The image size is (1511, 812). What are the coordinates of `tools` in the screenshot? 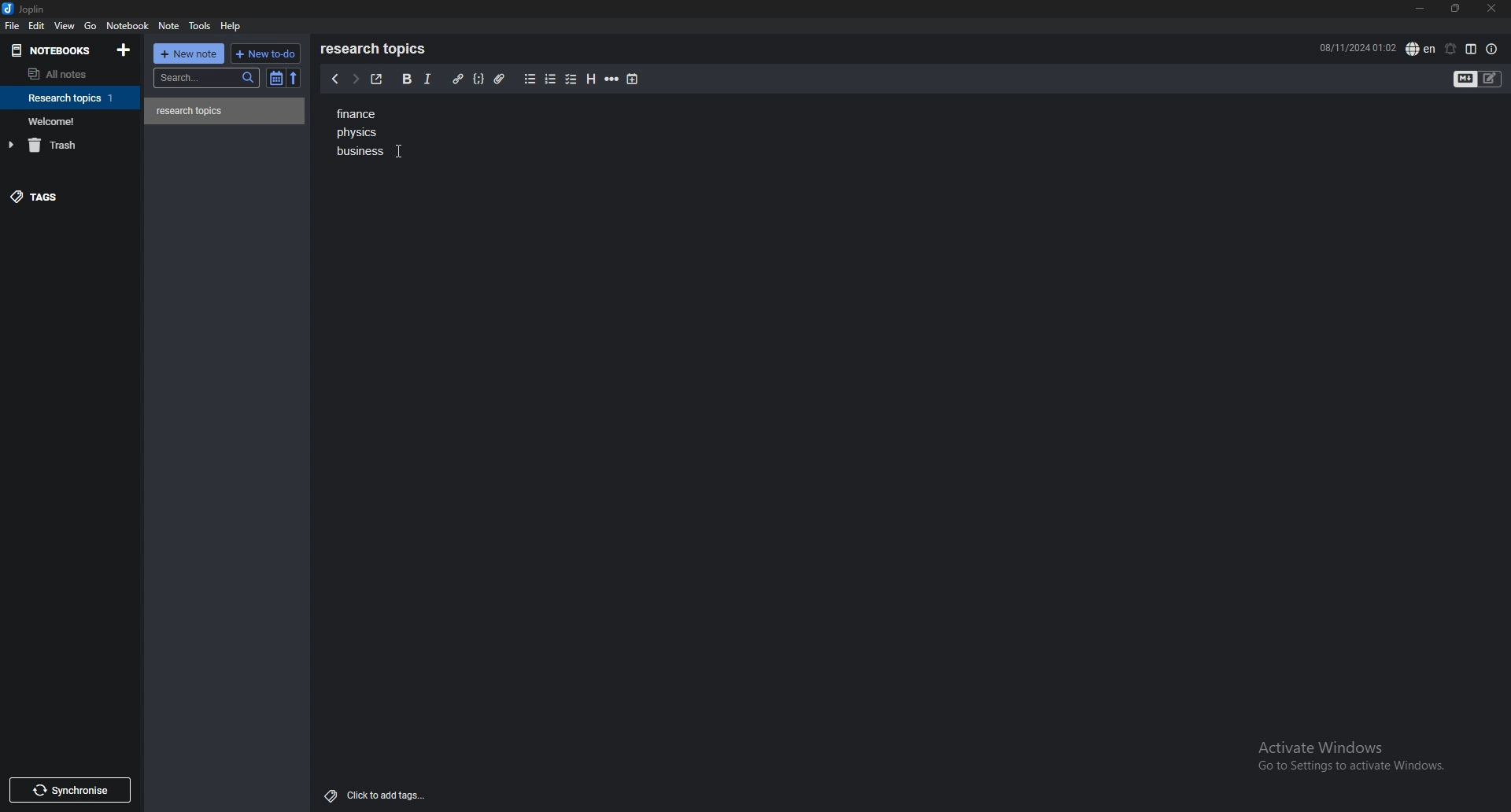 It's located at (200, 26).